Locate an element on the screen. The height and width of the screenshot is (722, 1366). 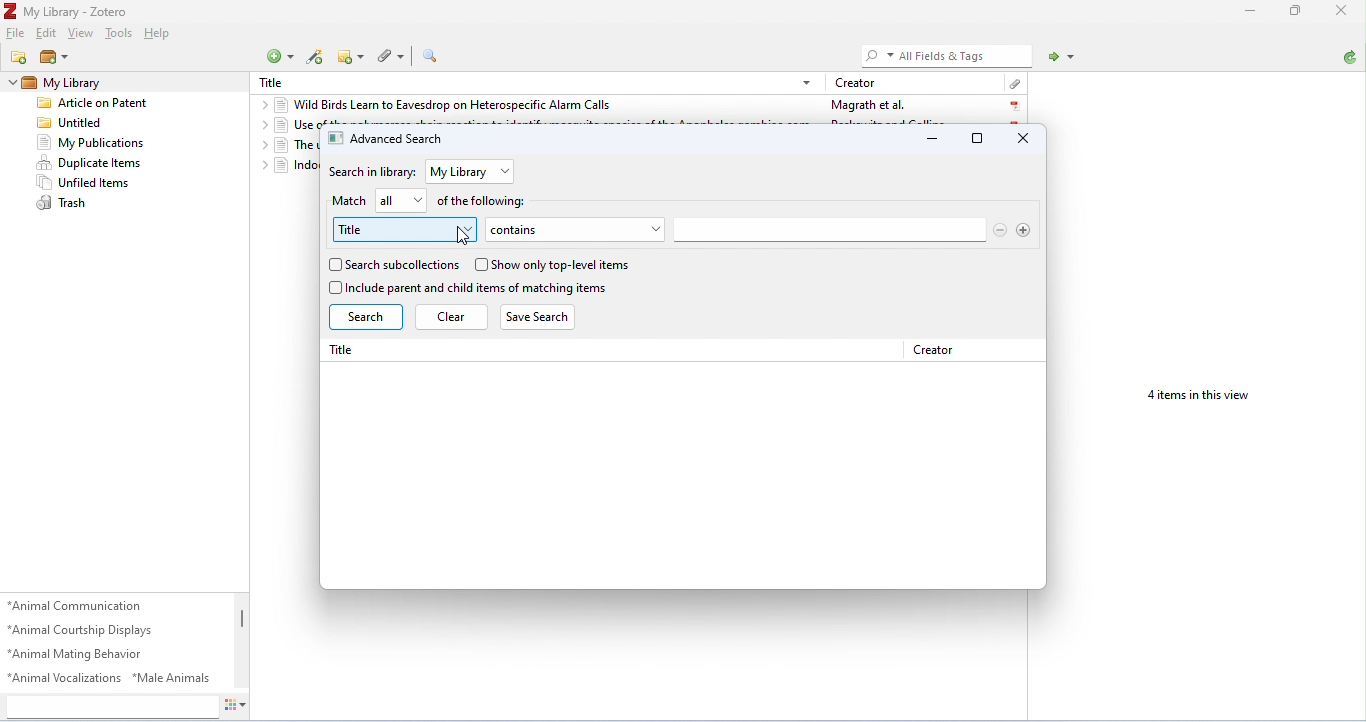
animal vocalizations is located at coordinates (65, 677).